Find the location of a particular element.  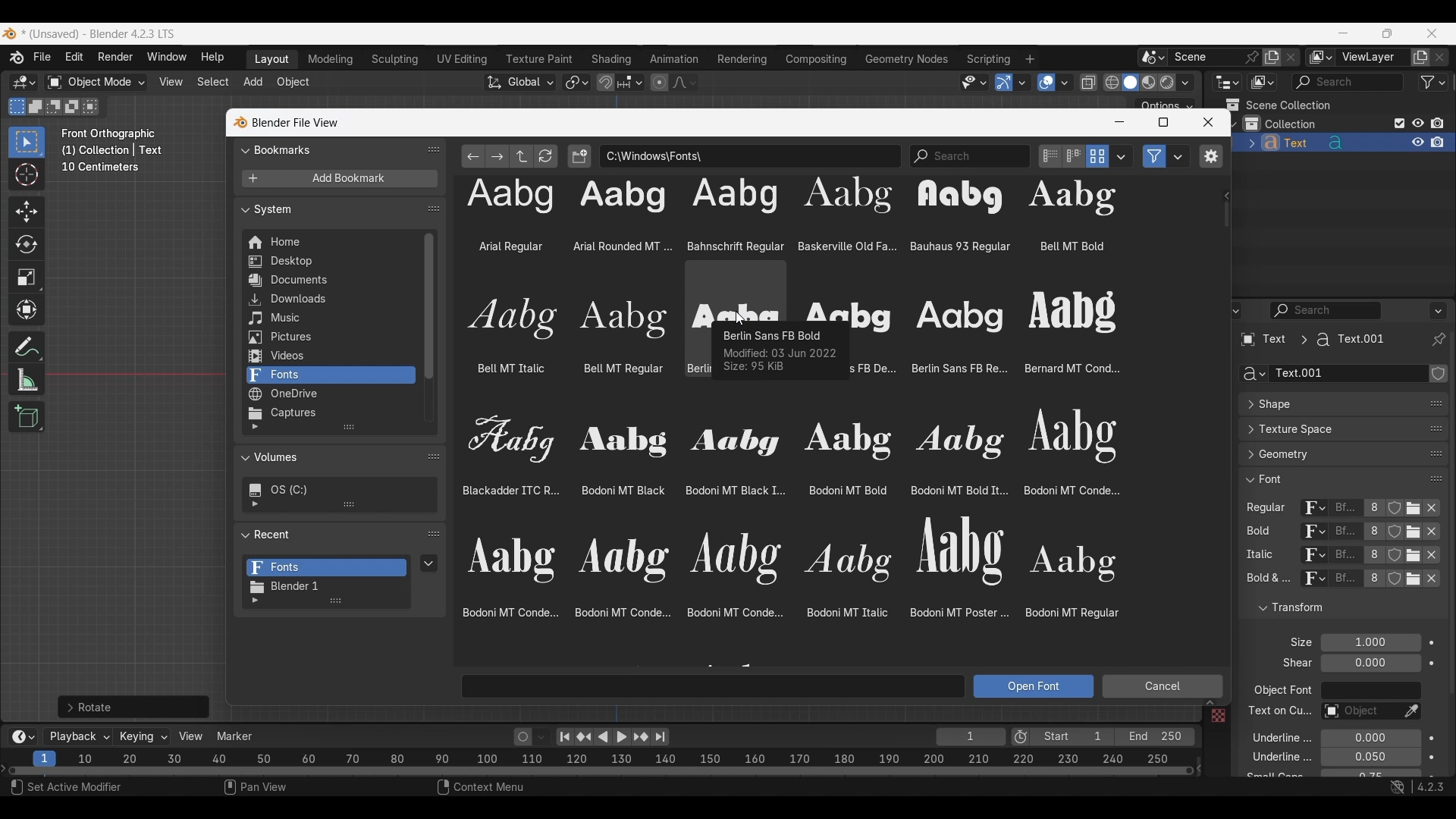

Eyedropper data-block is located at coordinates (1429, 399).